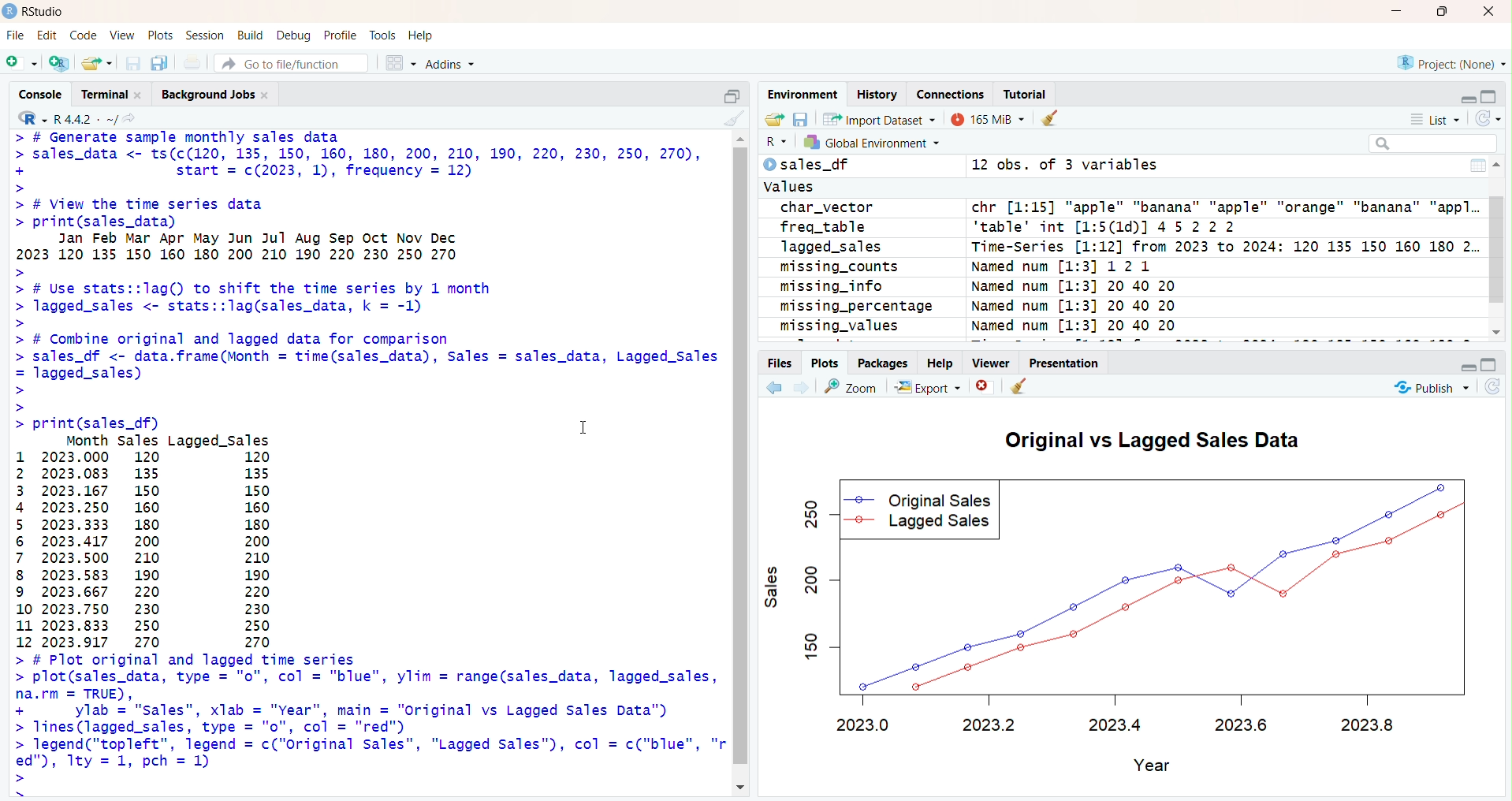 Image resolution: width=1512 pixels, height=801 pixels. What do you see at coordinates (803, 95) in the screenshot?
I see `environment` at bounding box center [803, 95].